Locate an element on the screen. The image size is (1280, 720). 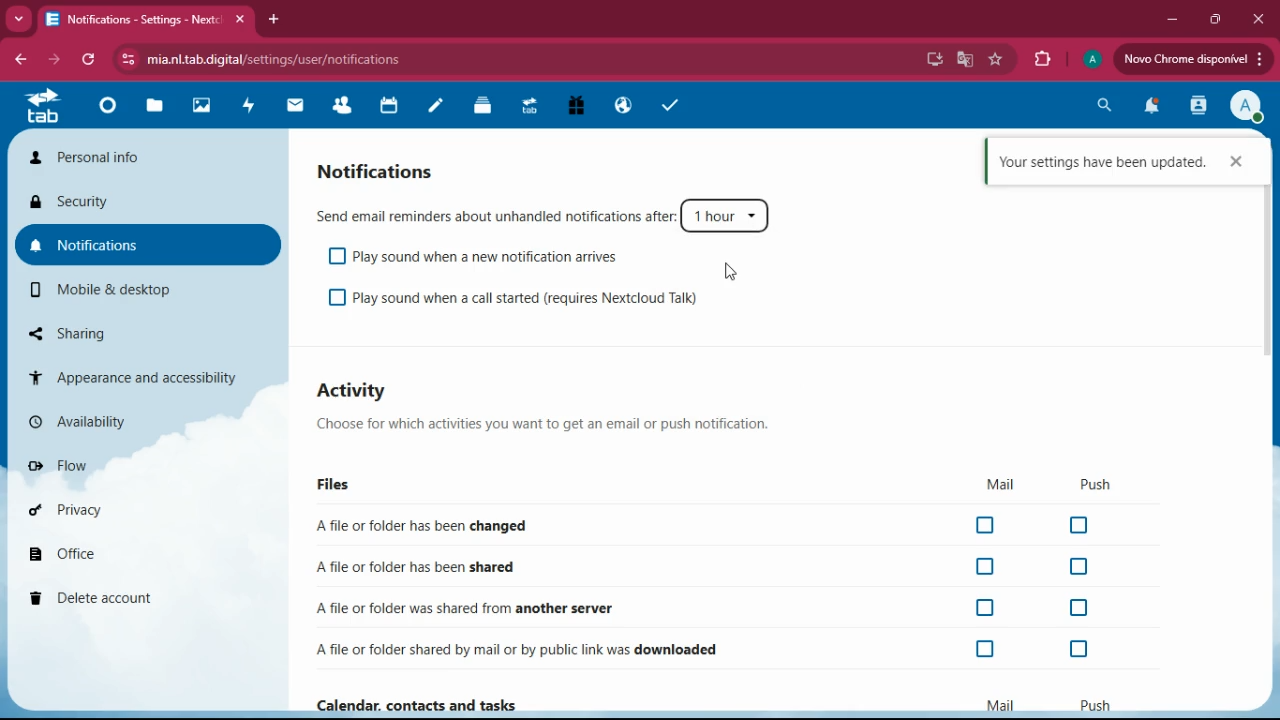
activity is located at coordinates (1195, 106).